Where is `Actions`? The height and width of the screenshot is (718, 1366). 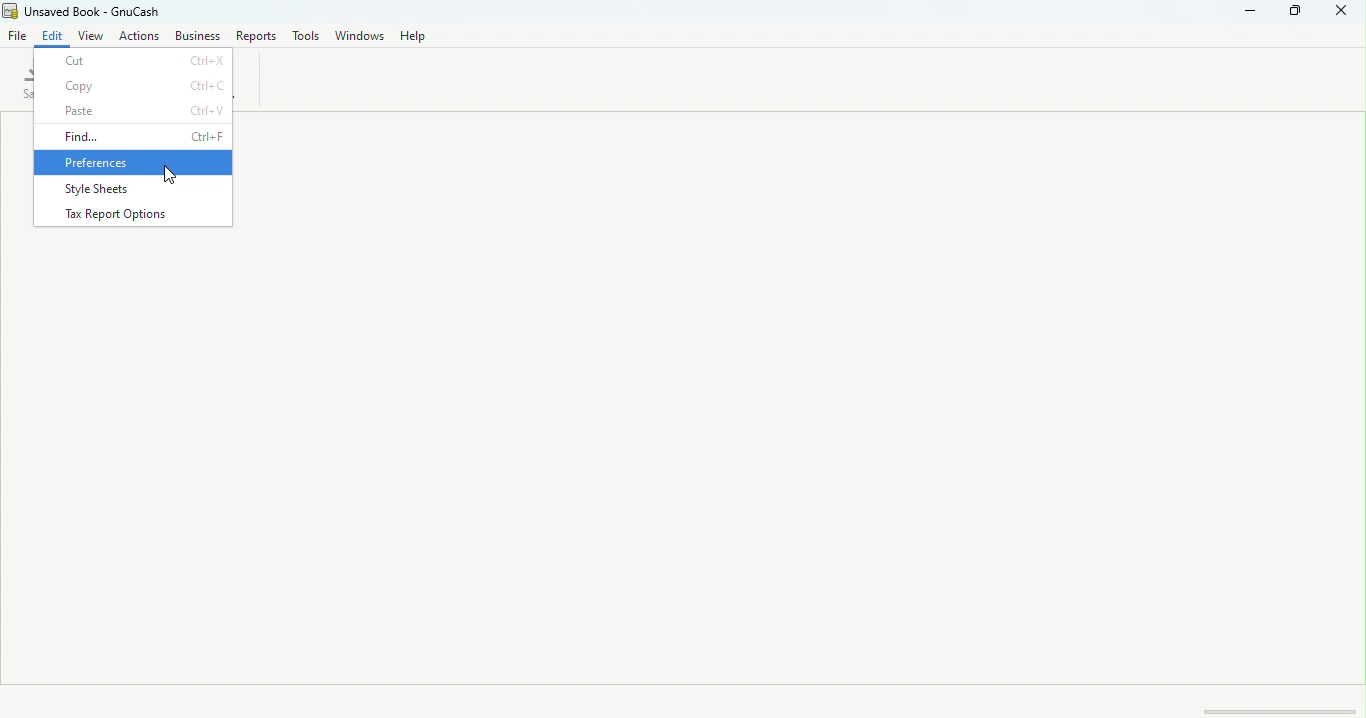 Actions is located at coordinates (143, 36).